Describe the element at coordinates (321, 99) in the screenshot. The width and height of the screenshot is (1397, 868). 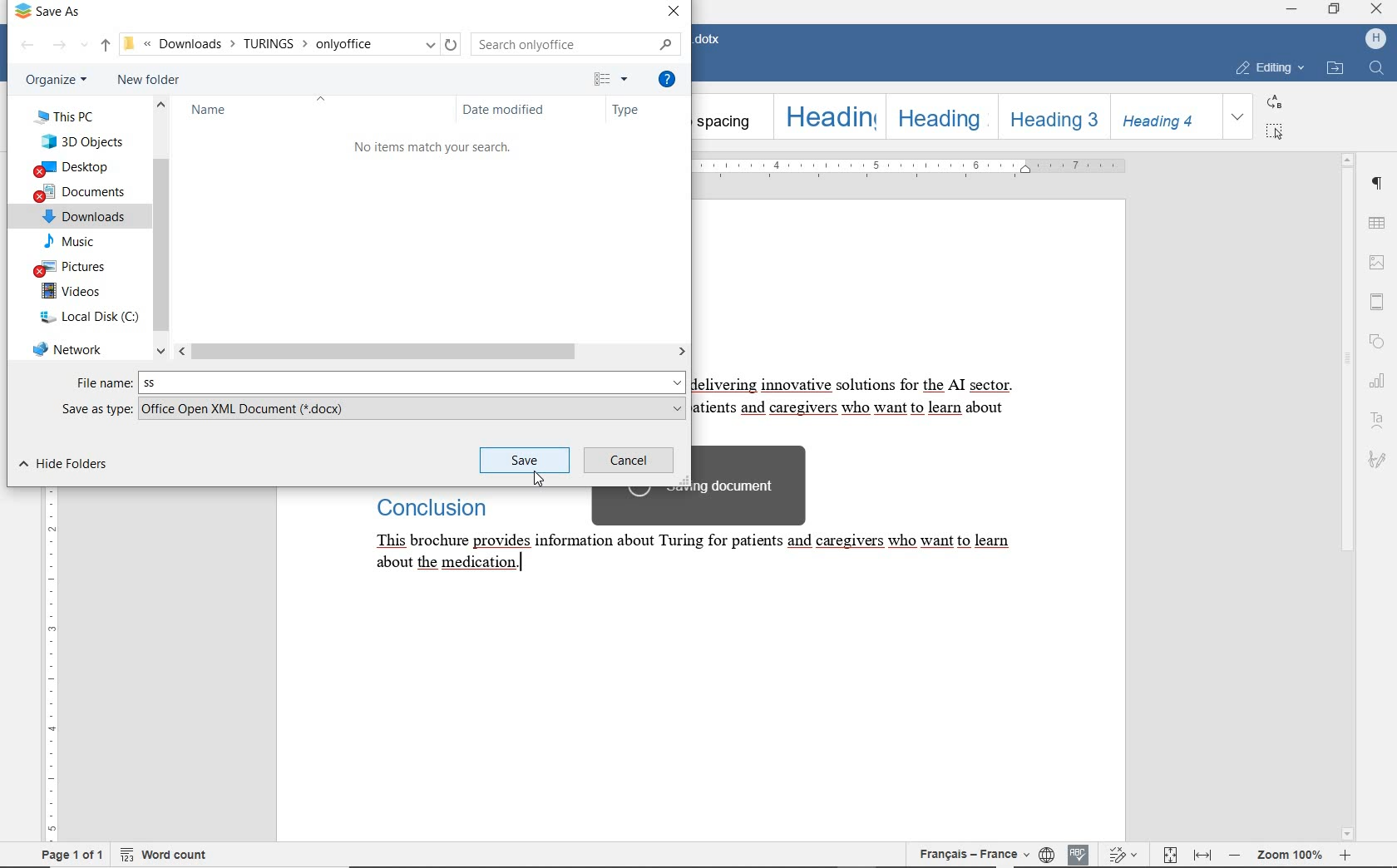
I see `collapse` at that location.